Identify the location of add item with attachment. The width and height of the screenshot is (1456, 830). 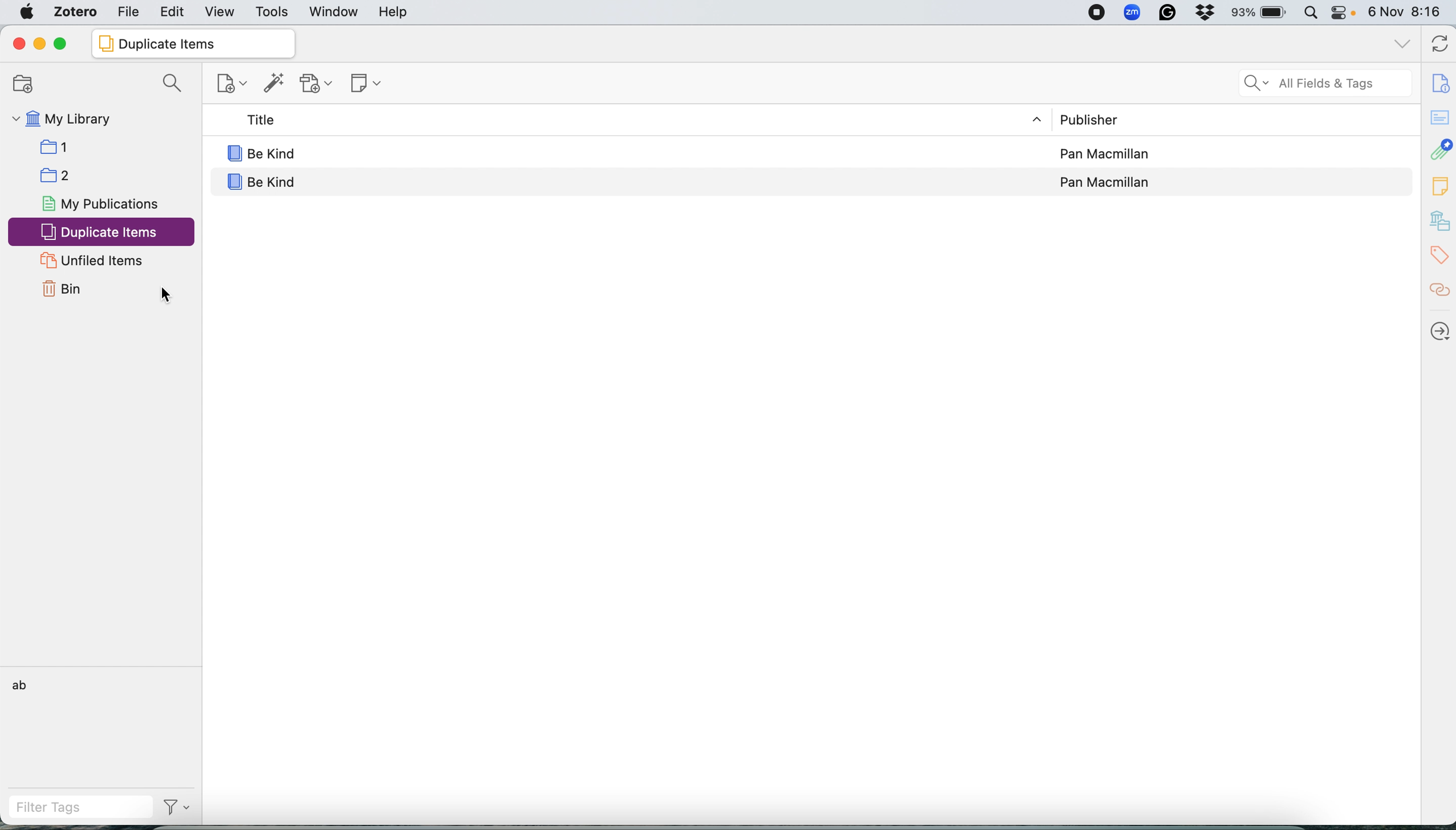
(319, 84).